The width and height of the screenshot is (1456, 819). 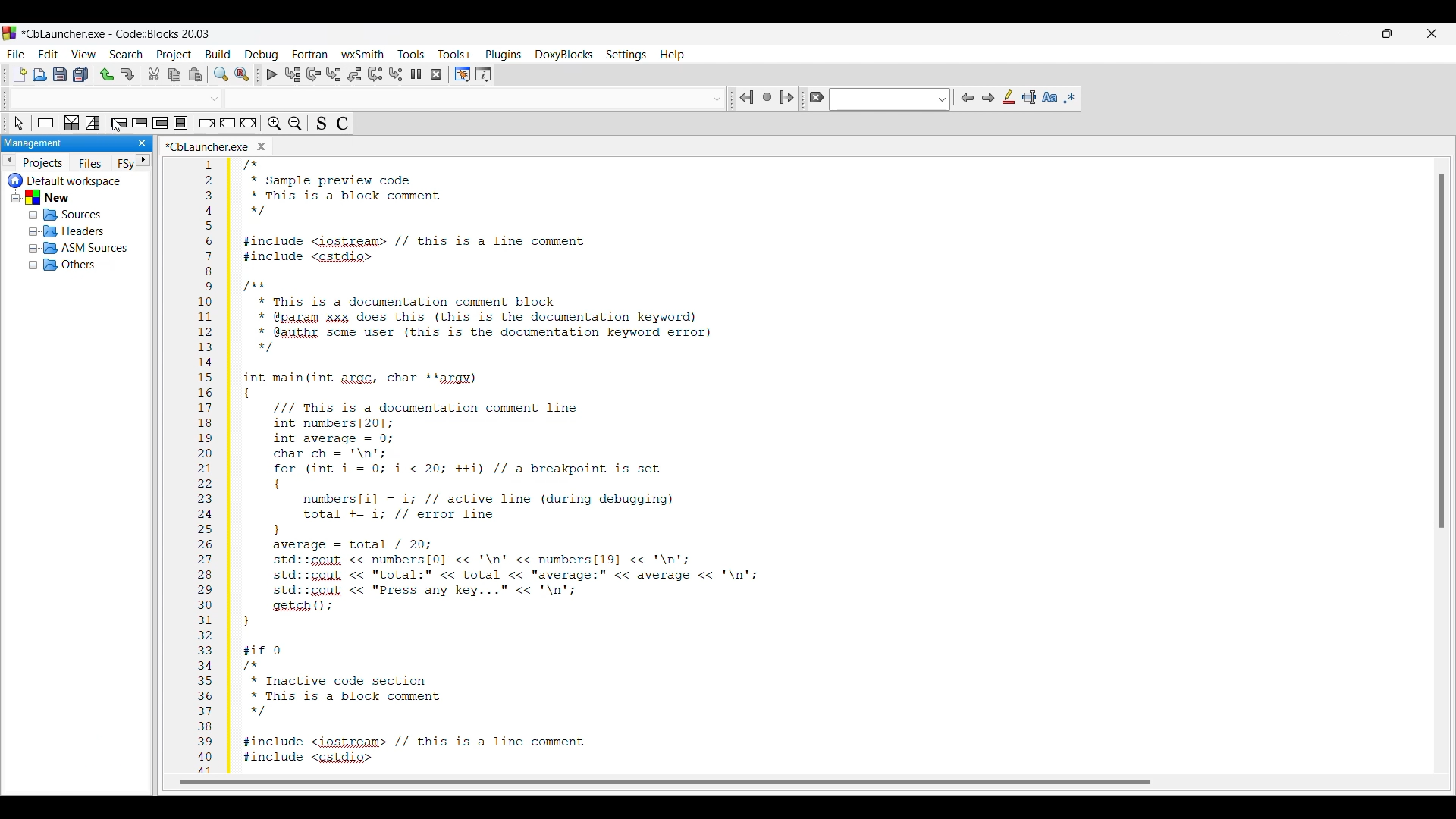 I want to click on Project menu, so click(x=174, y=55).